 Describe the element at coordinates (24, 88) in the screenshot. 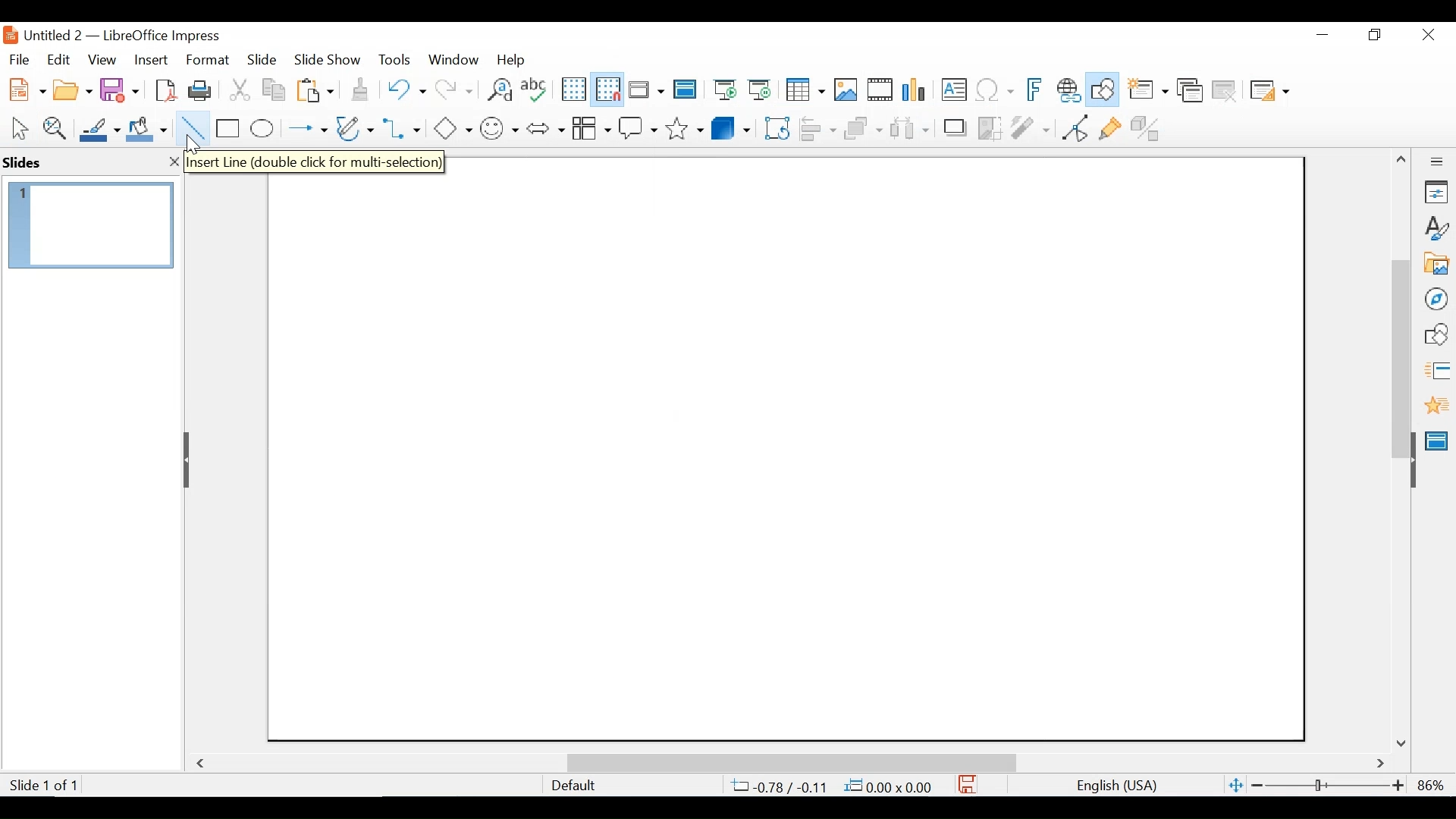

I see `New` at that location.